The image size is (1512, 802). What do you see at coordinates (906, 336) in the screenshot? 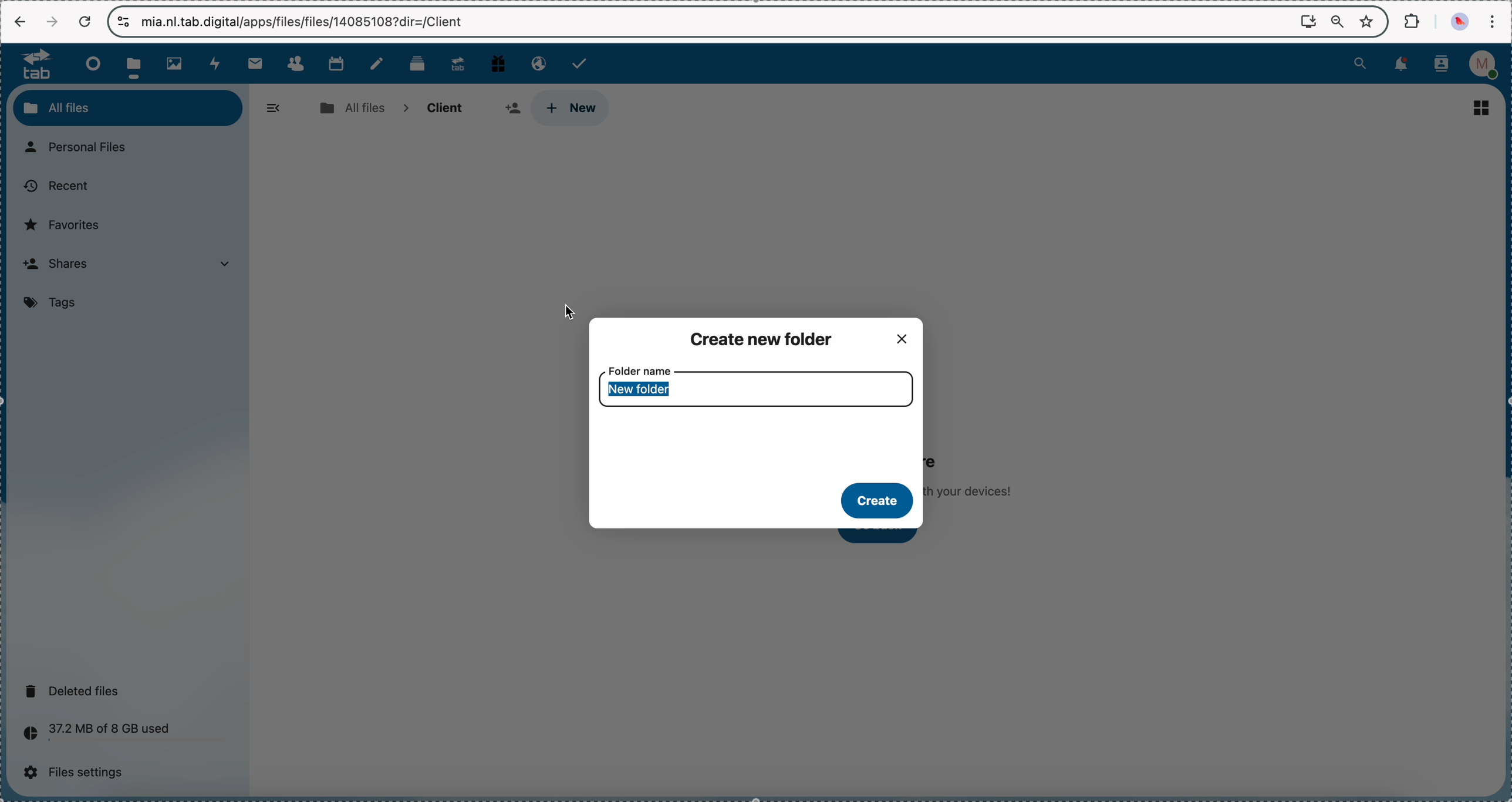
I see `close` at bounding box center [906, 336].